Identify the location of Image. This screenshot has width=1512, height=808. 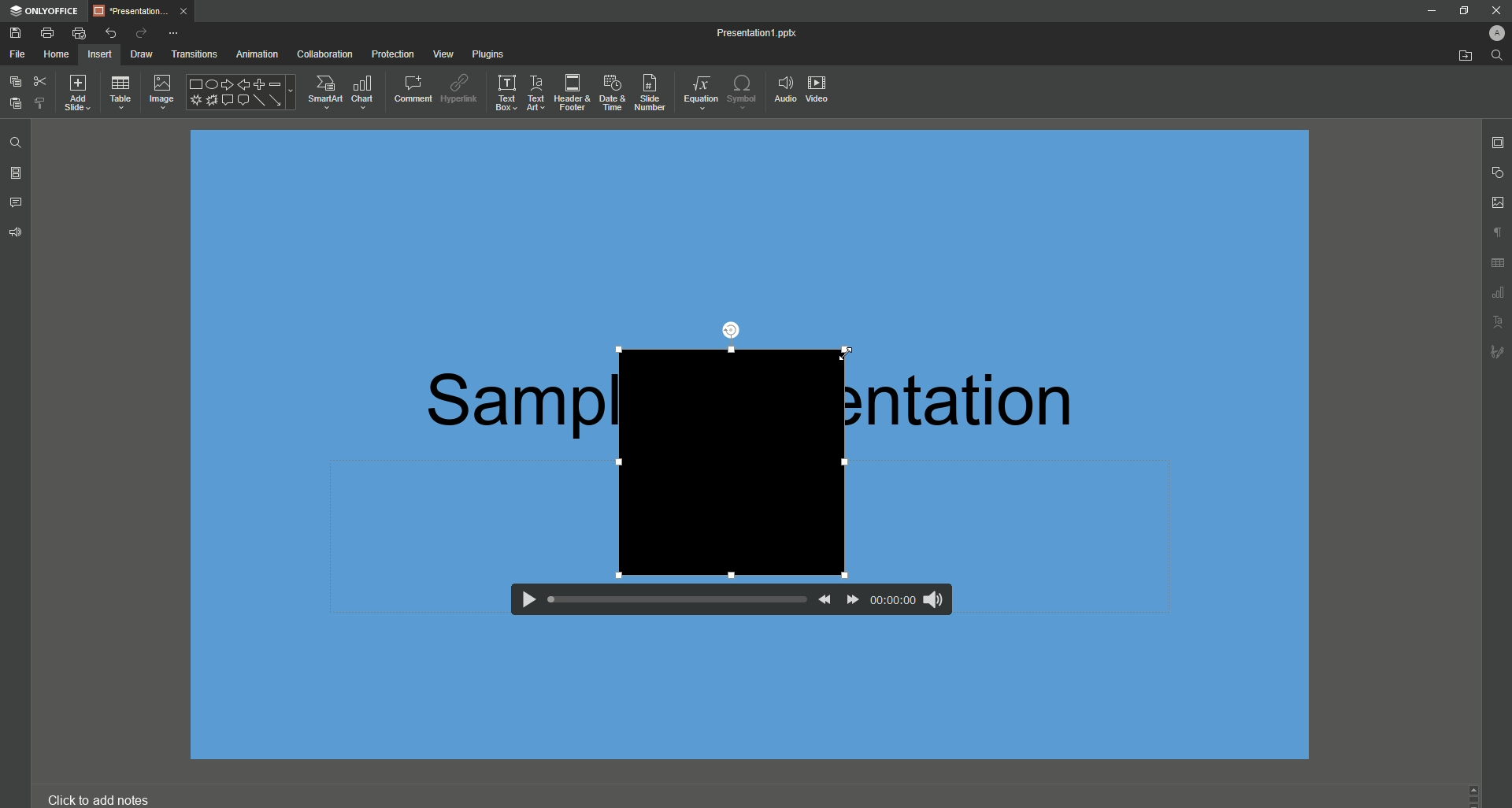
(160, 93).